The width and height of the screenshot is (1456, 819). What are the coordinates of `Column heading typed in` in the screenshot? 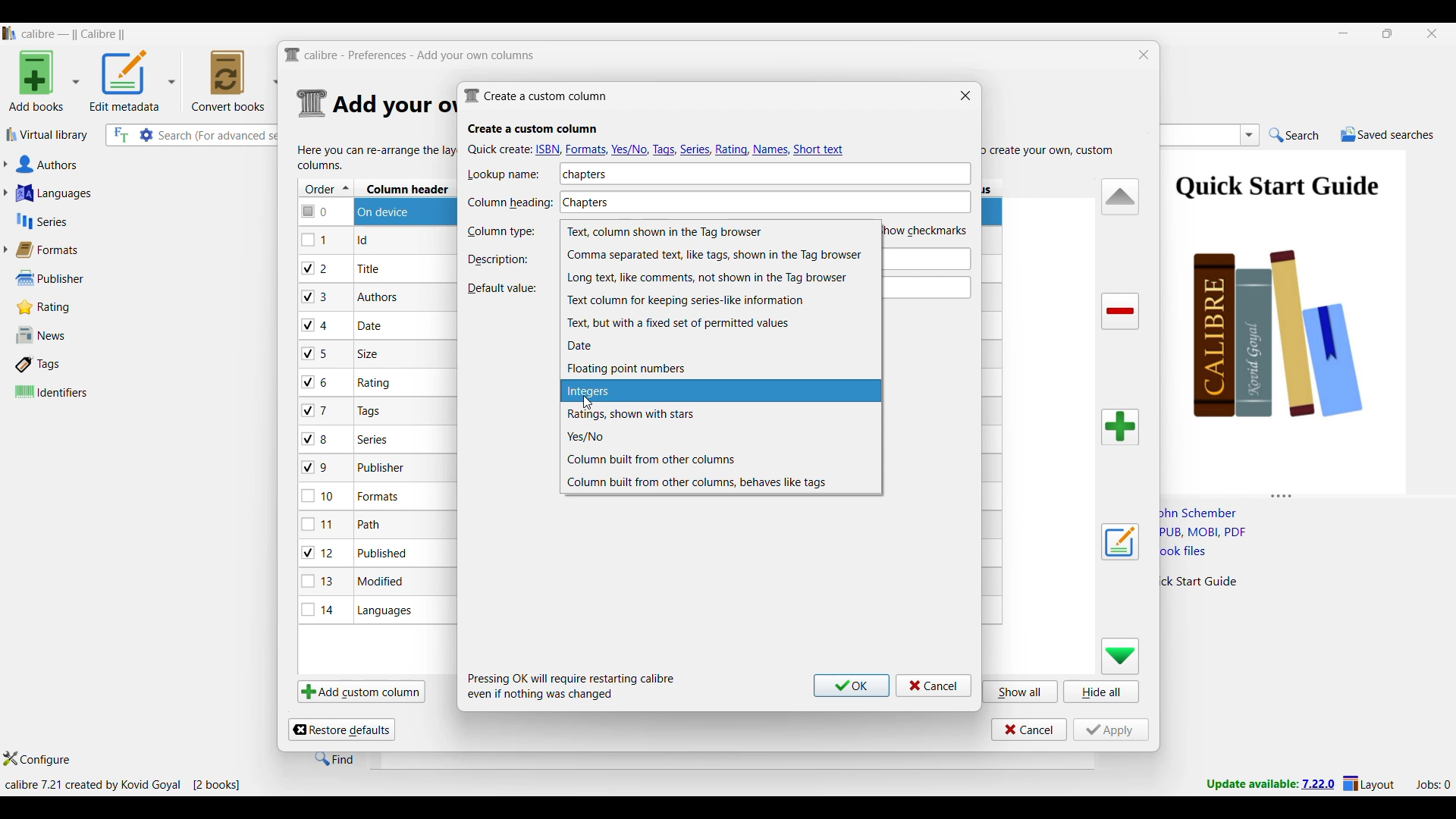 It's located at (696, 199).